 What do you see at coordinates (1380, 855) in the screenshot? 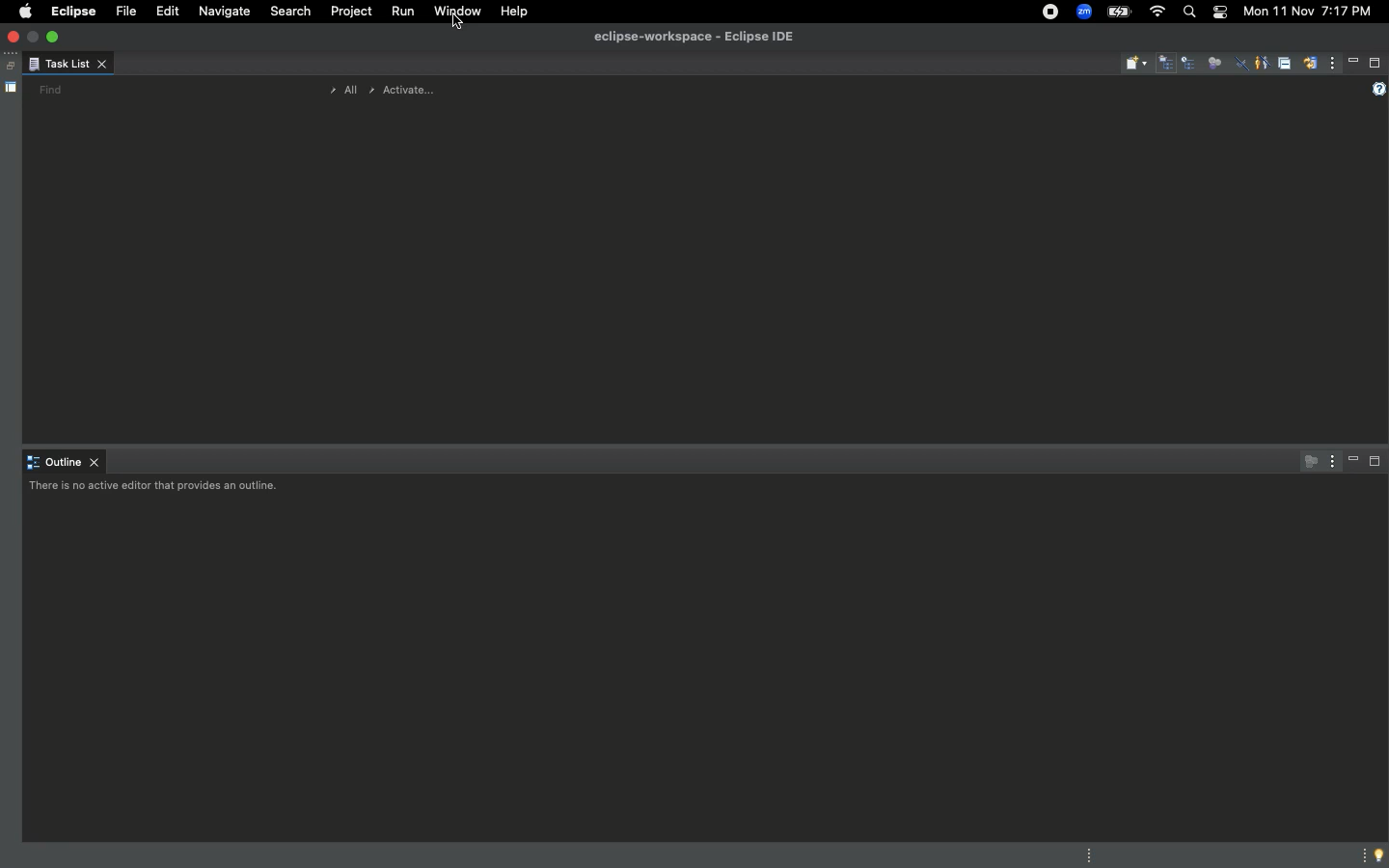
I see `Tip of the day` at bounding box center [1380, 855].